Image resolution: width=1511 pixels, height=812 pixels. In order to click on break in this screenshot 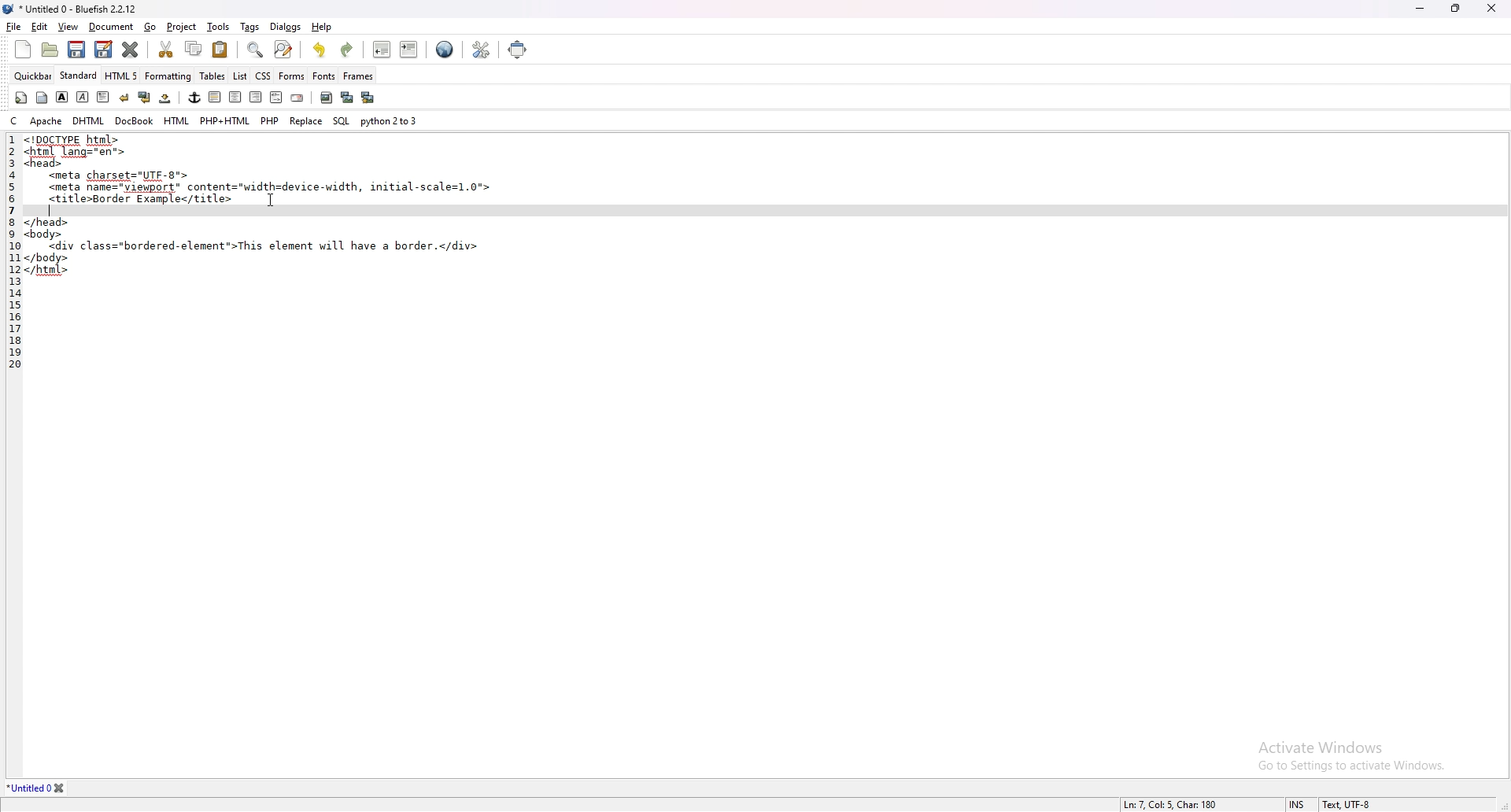, I will do `click(124, 98)`.